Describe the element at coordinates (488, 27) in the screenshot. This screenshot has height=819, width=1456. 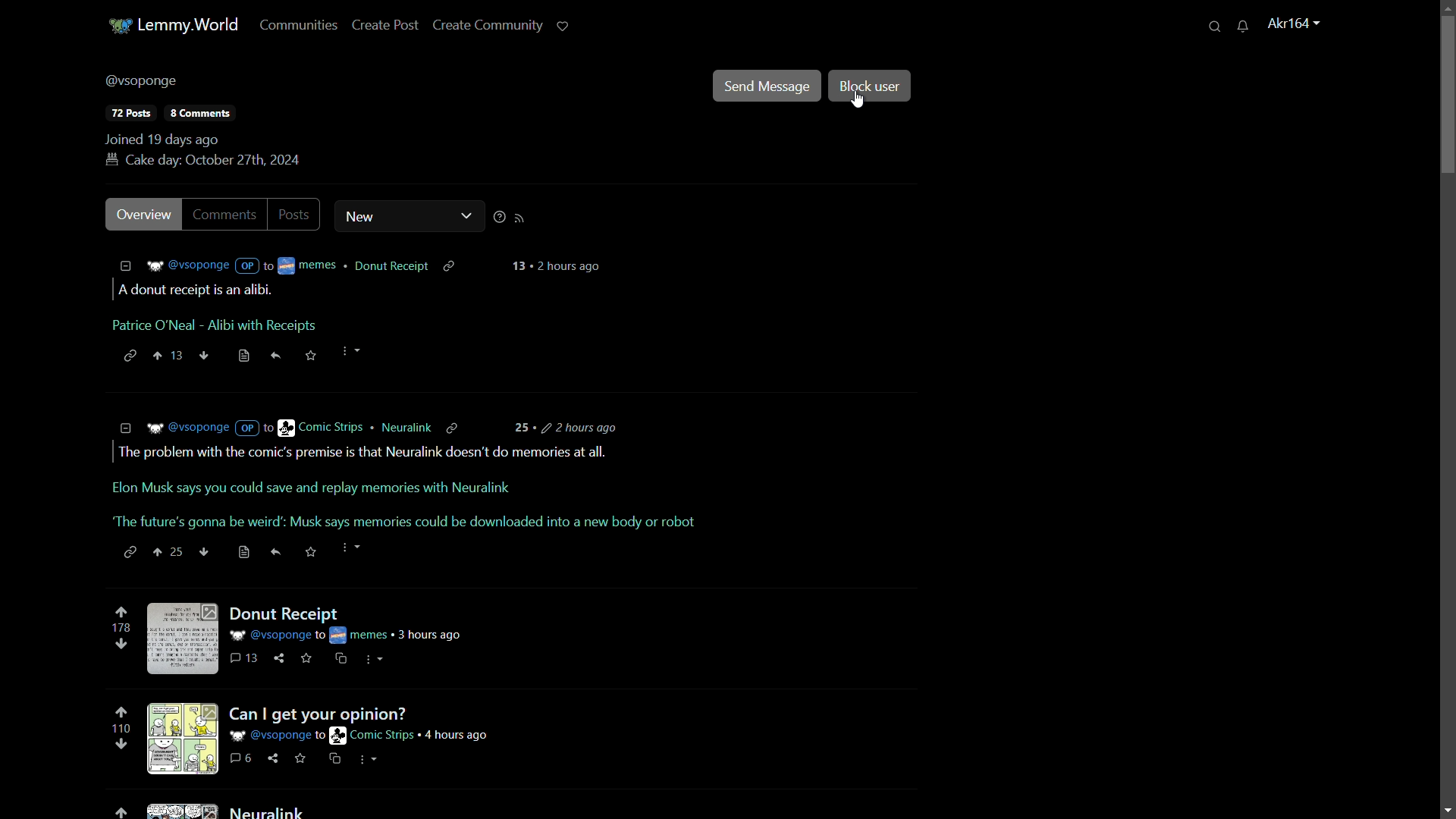
I see `create community` at that location.